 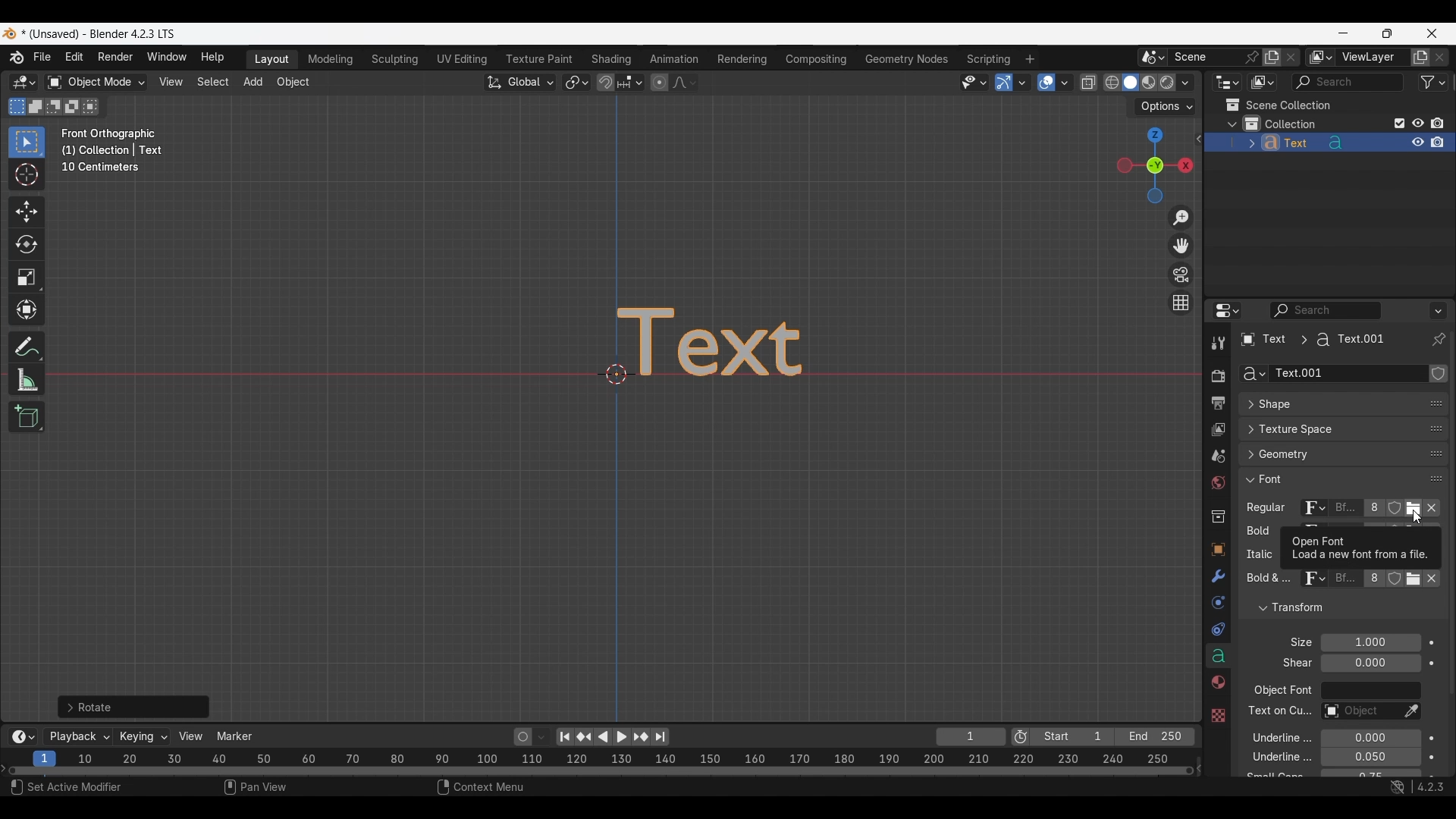 What do you see at coordinates (1436, 626) in the screenshot?
I see `Change order in the list` at bounding box center [1436, 626].